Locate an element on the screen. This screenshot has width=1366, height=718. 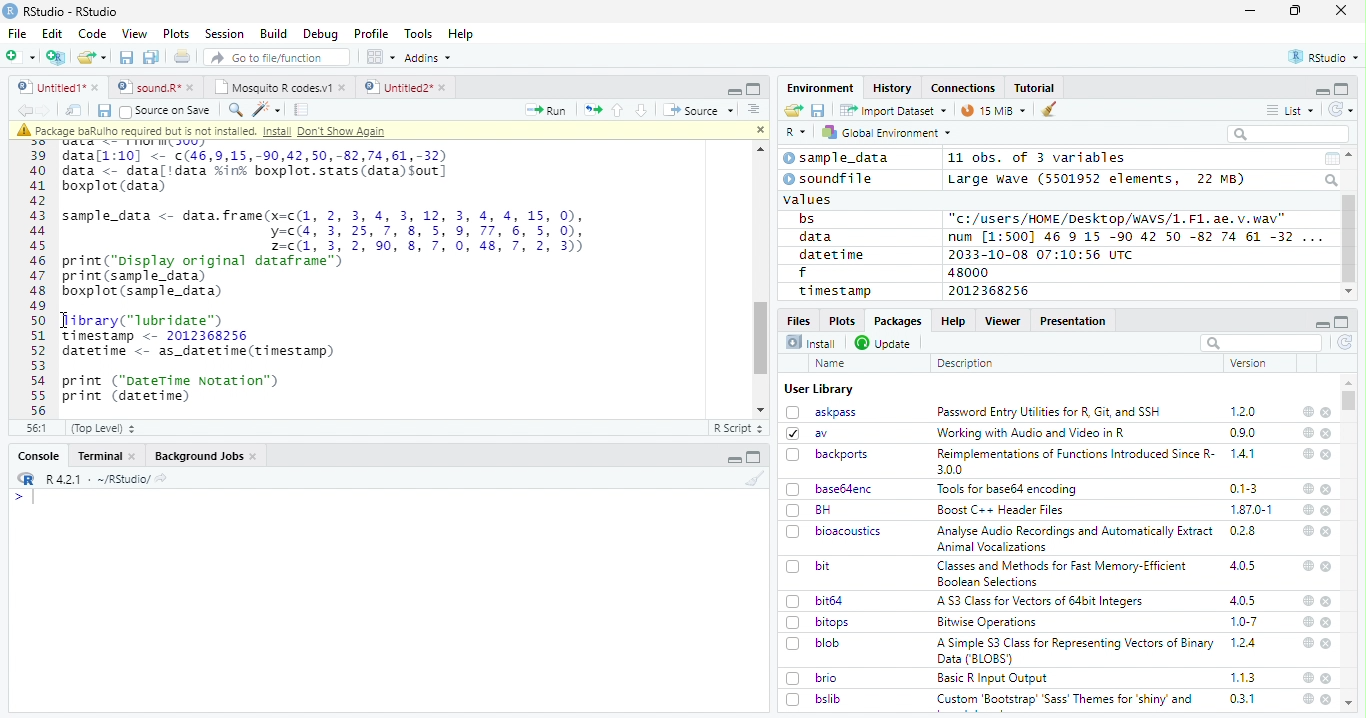
go backward is located at coordinates (25, 109).